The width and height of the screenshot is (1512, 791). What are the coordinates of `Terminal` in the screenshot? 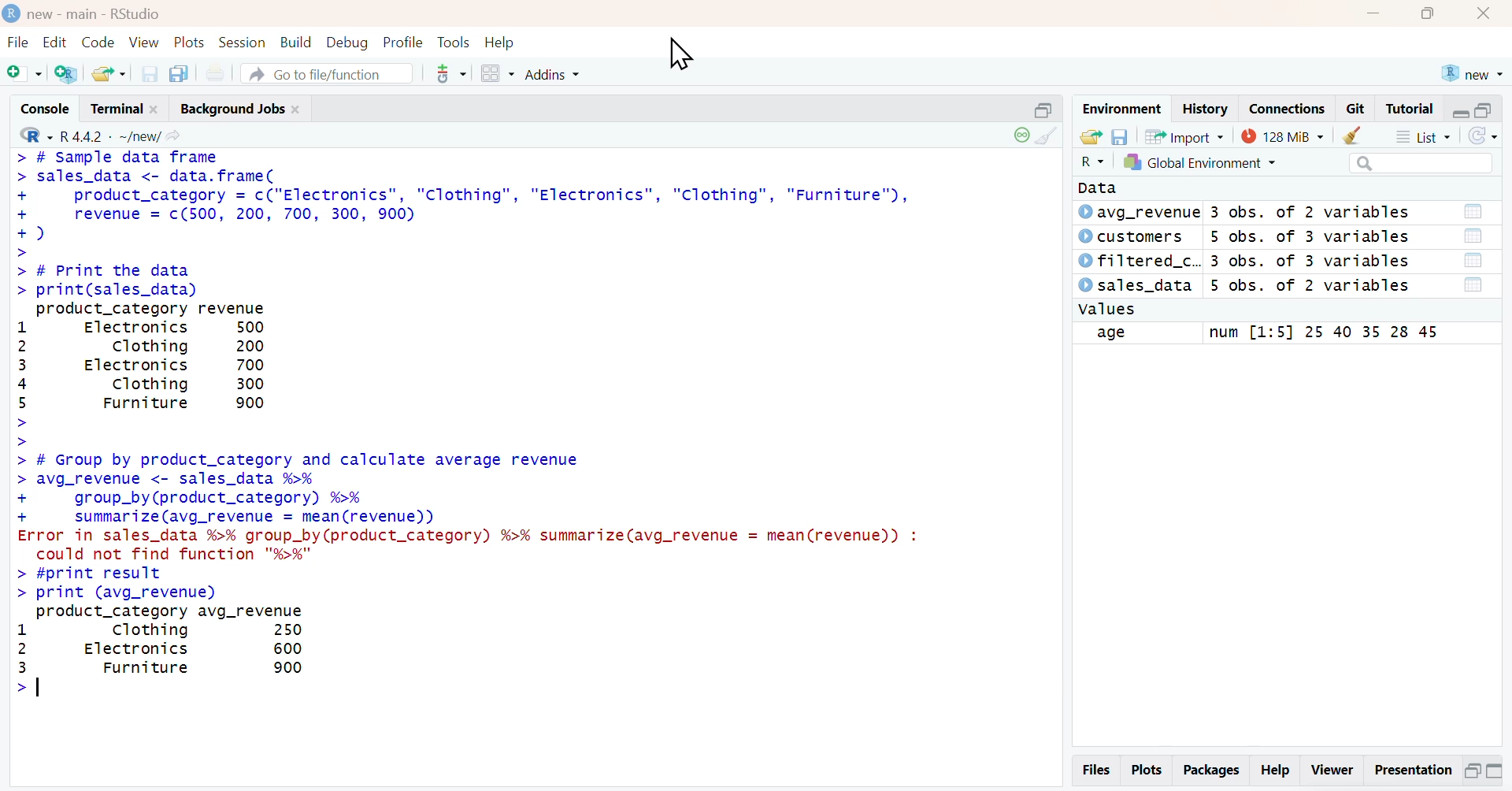 It's located at (126, 108).